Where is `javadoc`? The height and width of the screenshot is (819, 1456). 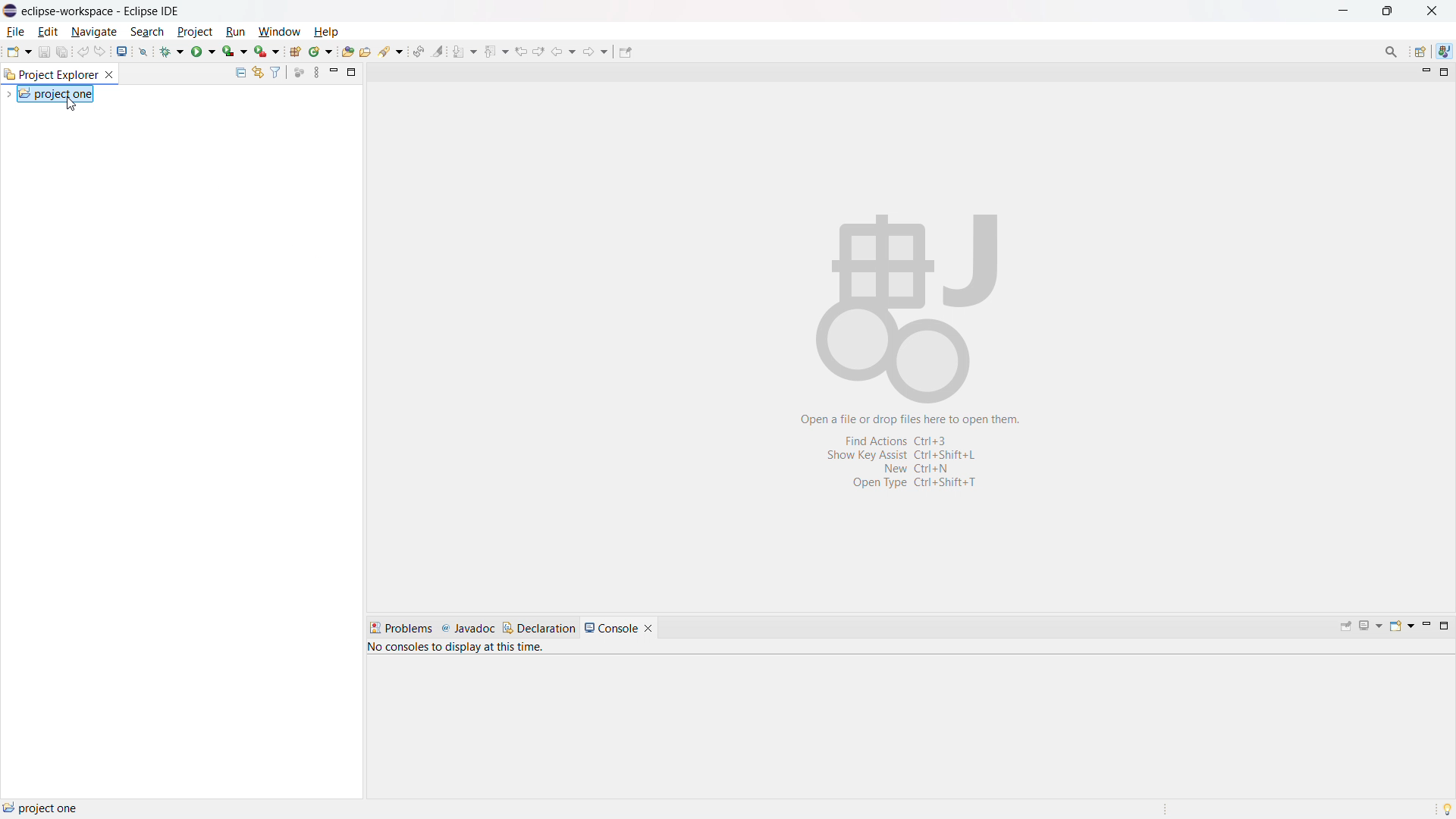 javadoc is located at coordinates (468, 629).